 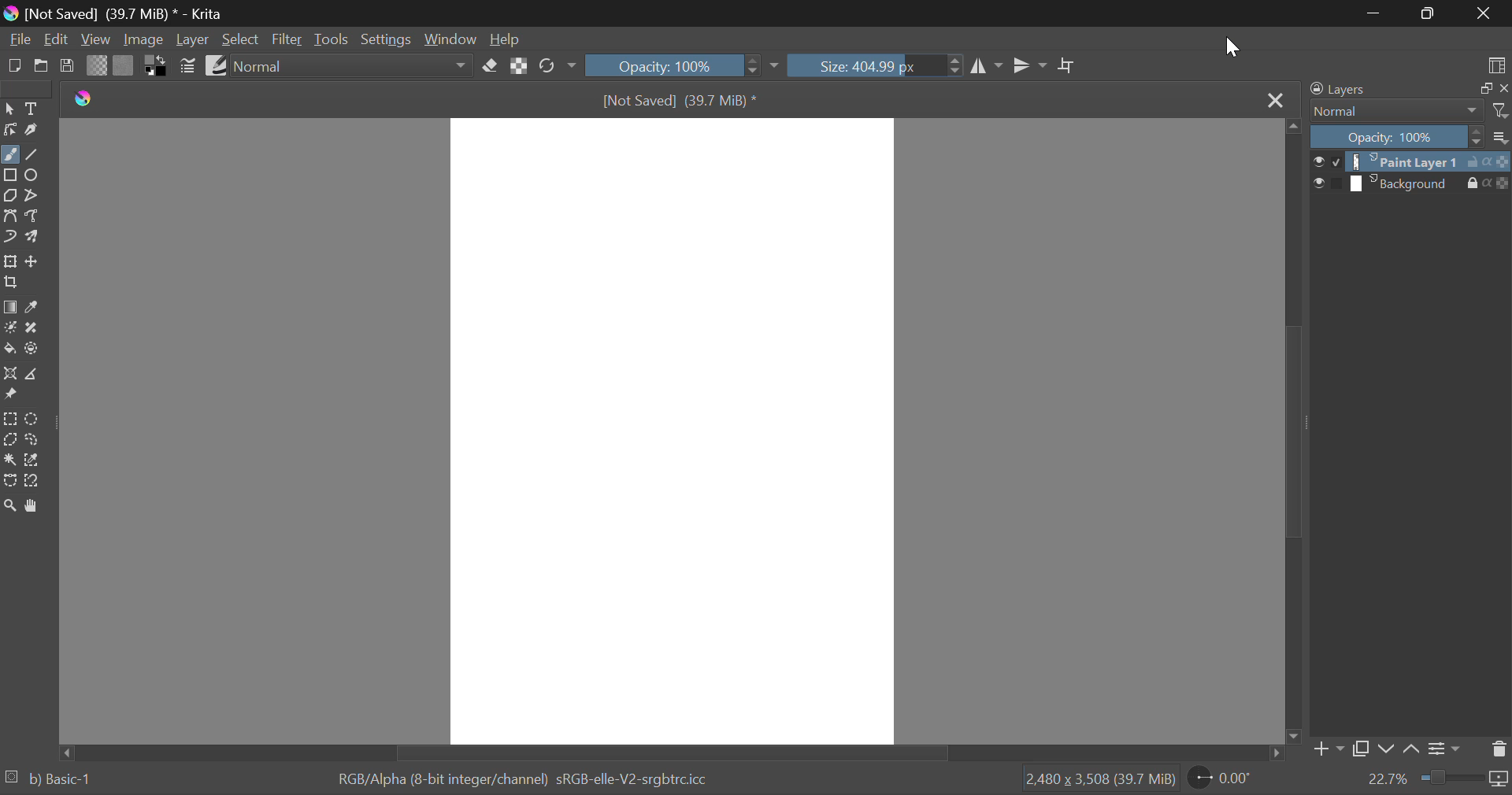 I want to click on Edit Shapes, so click(x=9, y=129).